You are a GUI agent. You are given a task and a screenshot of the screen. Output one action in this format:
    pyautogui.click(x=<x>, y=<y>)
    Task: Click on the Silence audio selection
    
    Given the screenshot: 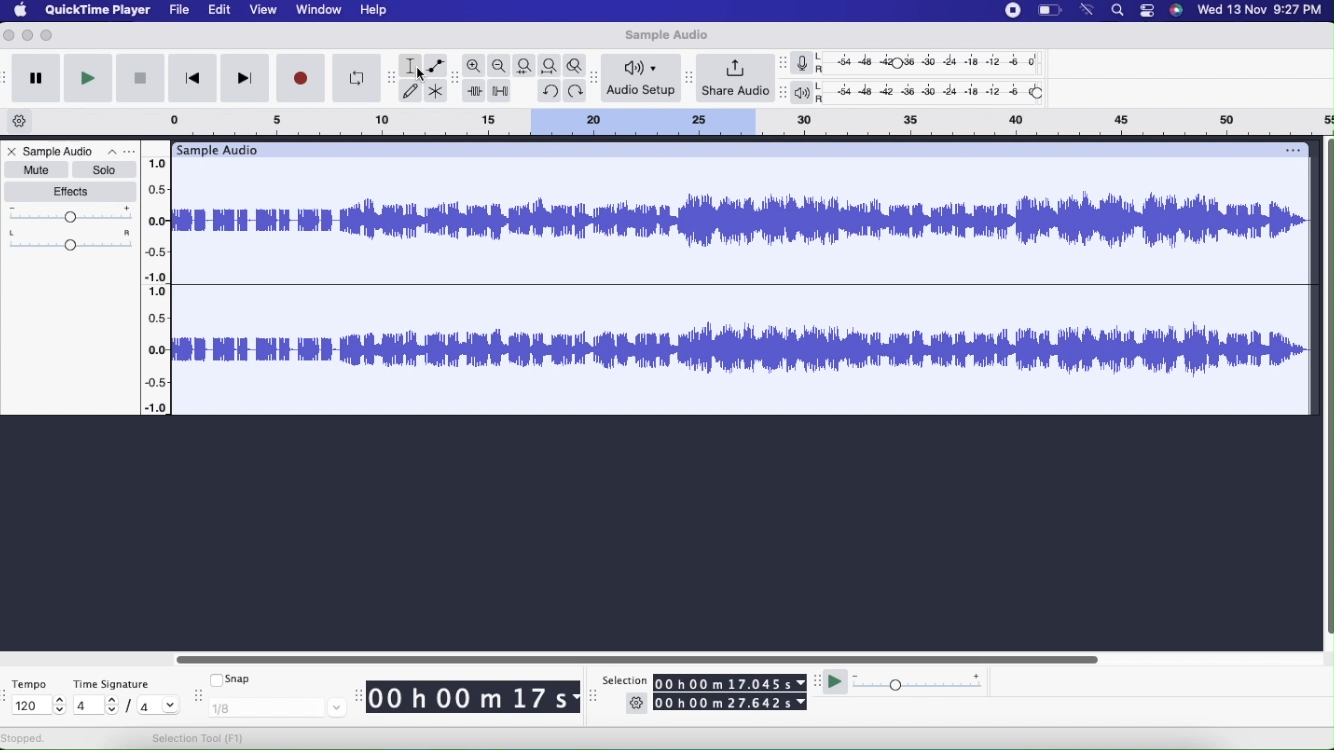 What is the action you would take?
    pyautogui.click(x=502, y=92)
    